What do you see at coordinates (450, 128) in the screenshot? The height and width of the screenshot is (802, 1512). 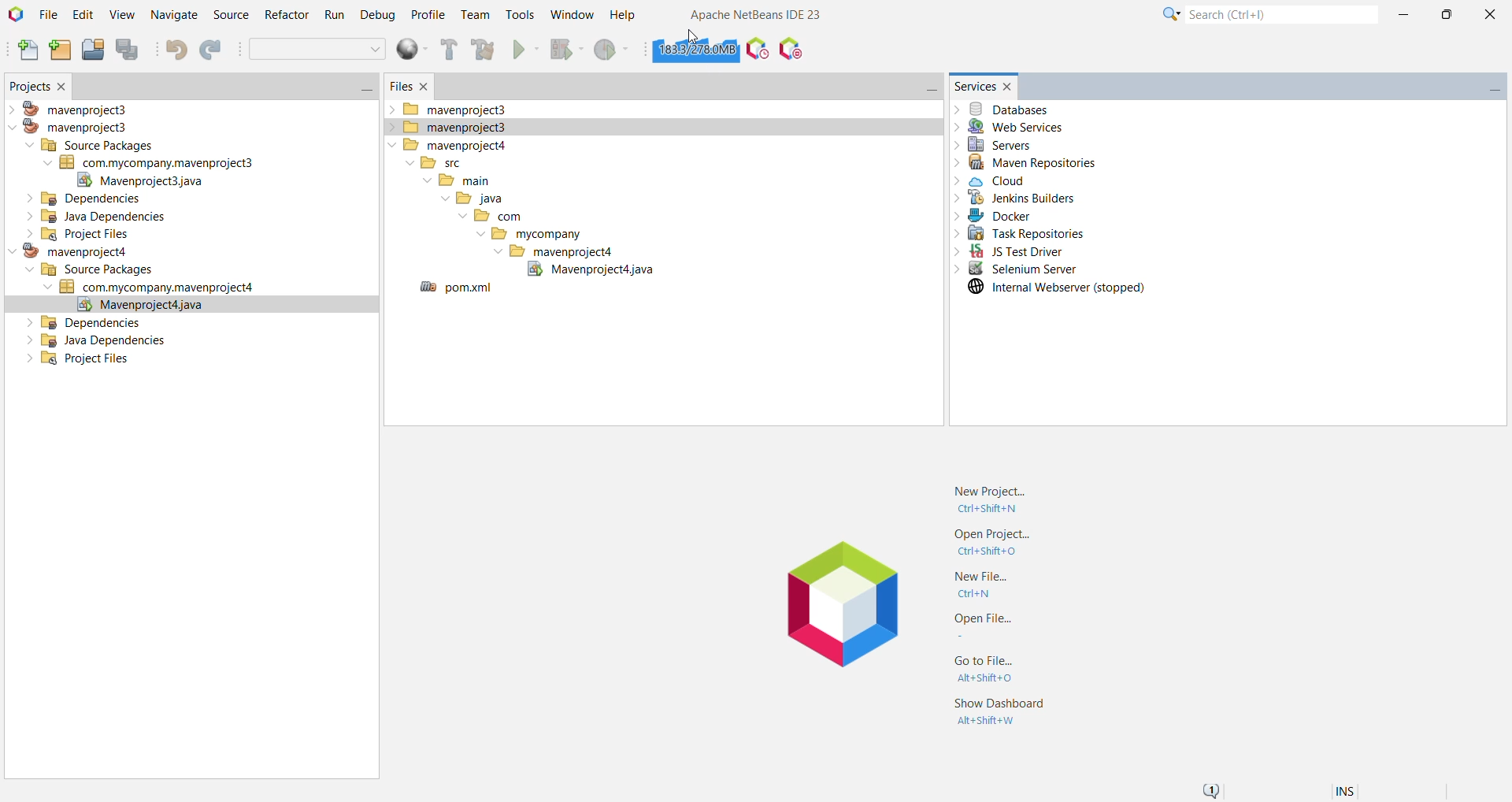 I see `mavenproject3` at bounding box center [450, 128].